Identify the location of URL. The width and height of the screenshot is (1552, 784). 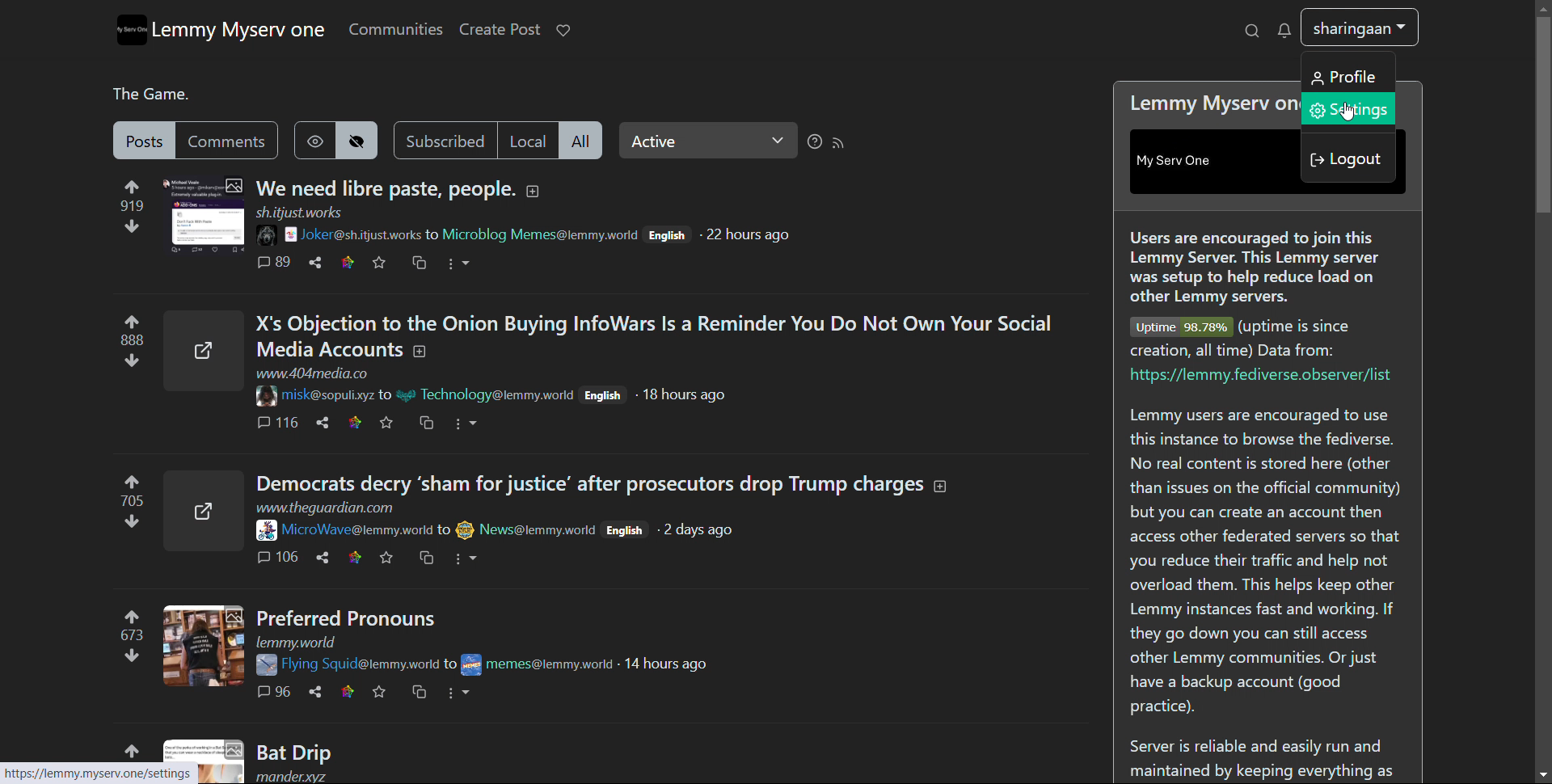
(302, 642).